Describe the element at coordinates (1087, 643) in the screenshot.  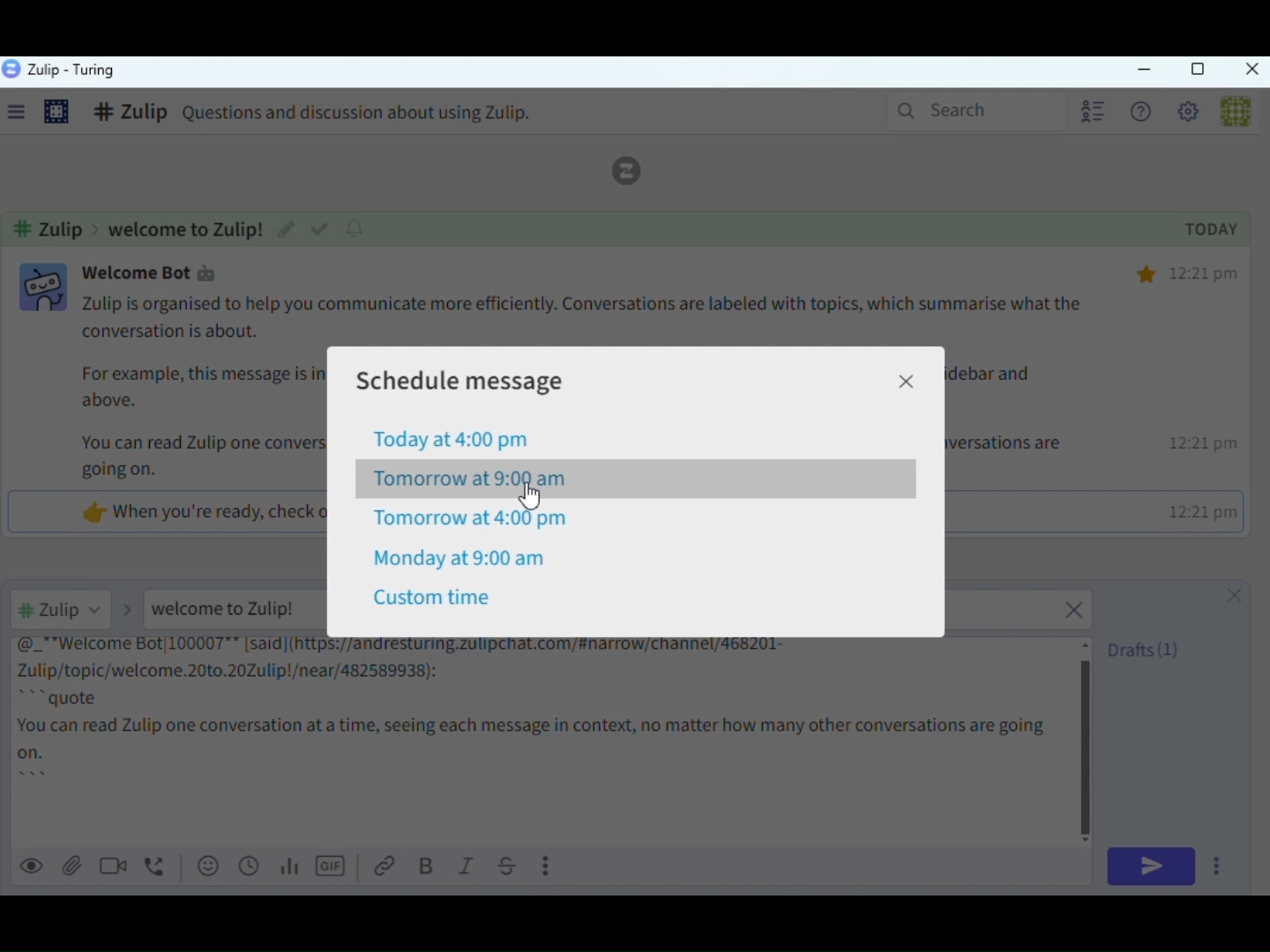
I see `Up` at that location.